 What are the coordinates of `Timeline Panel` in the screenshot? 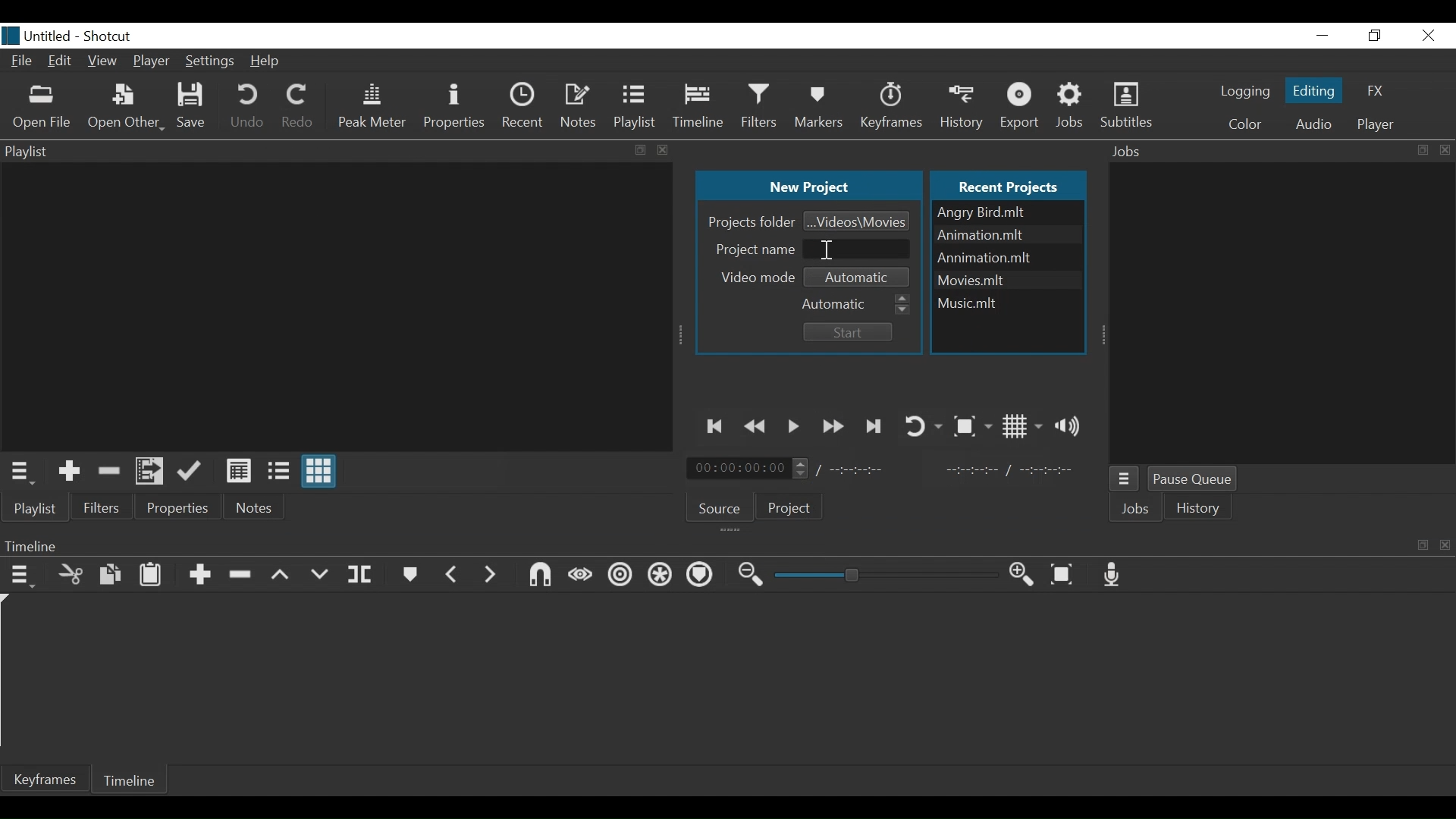 It's located at (727, 546).